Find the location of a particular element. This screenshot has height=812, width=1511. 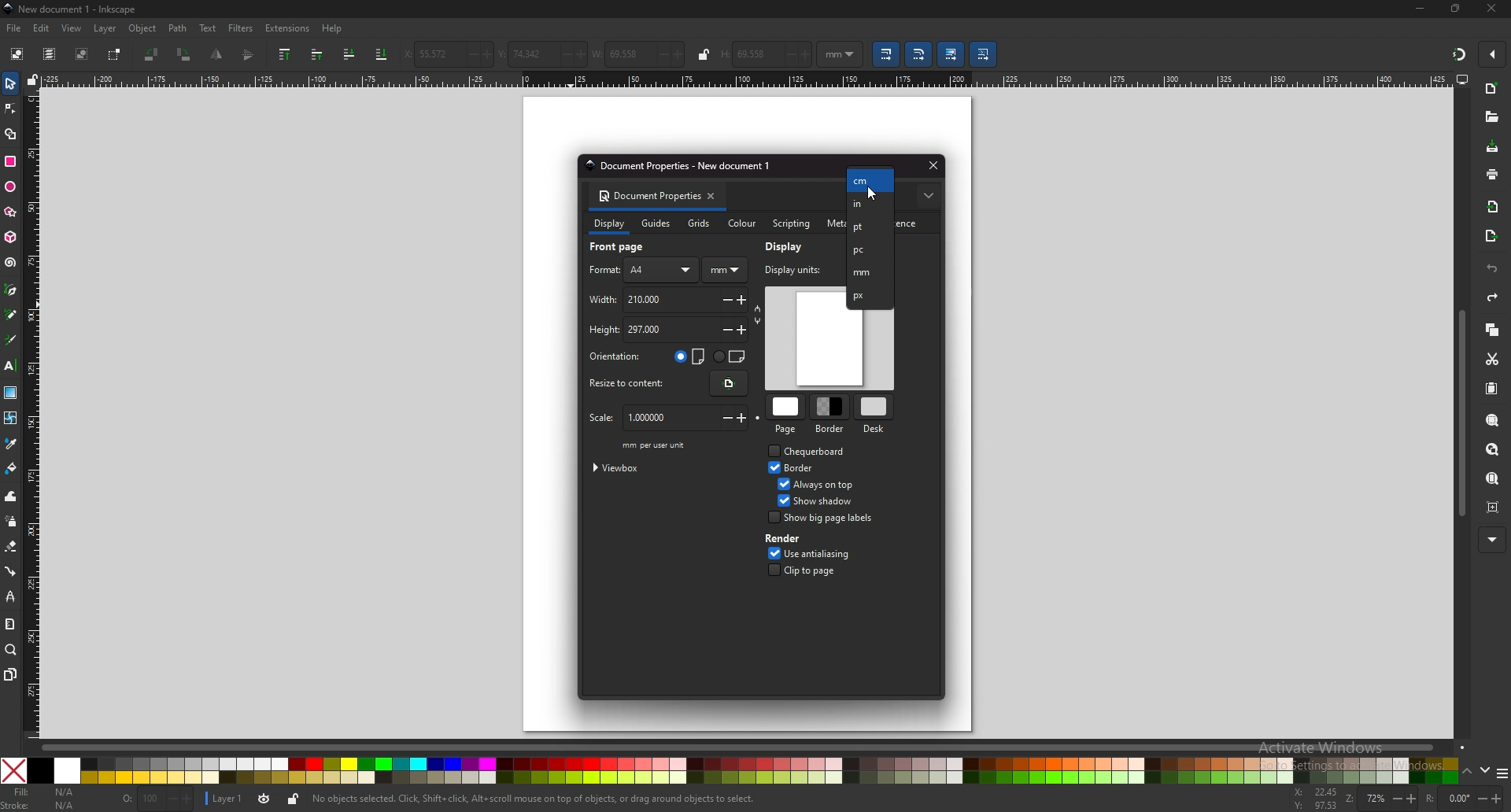

scripting is located at coordinates (789, 223).